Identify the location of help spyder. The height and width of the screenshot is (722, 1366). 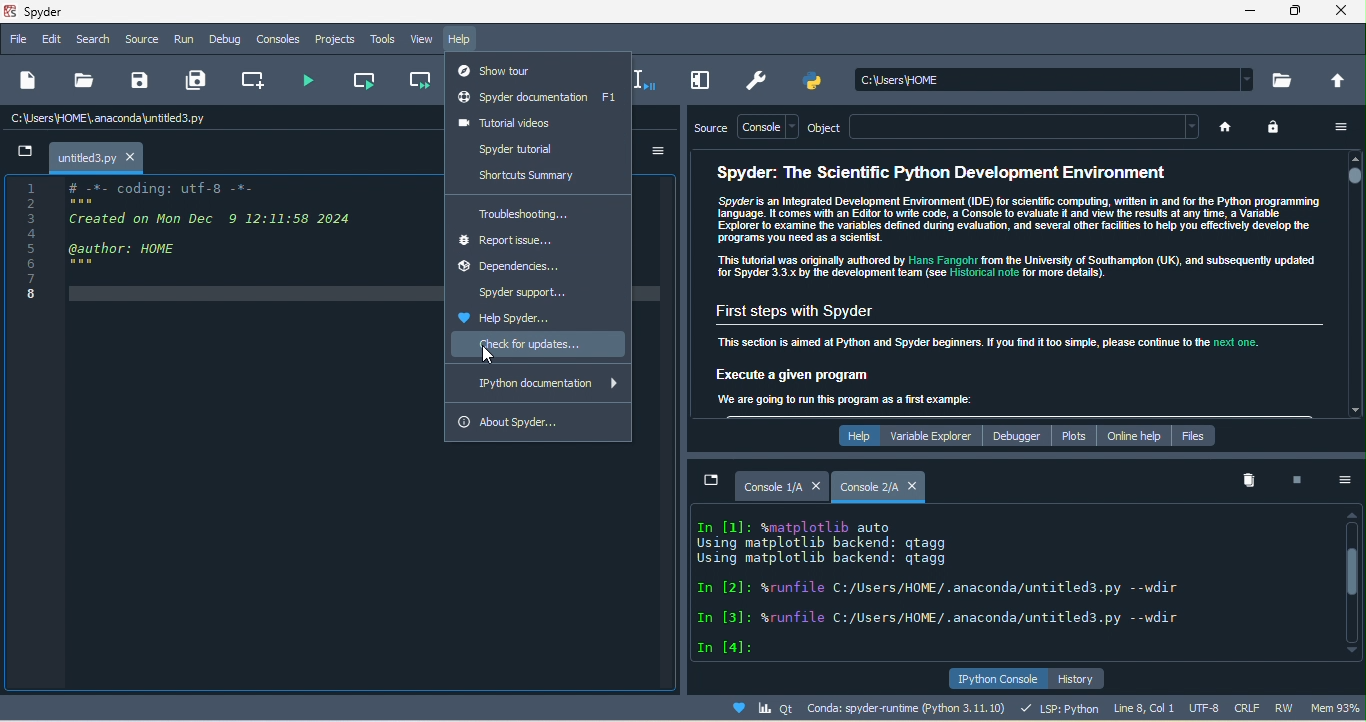
(505, 316).